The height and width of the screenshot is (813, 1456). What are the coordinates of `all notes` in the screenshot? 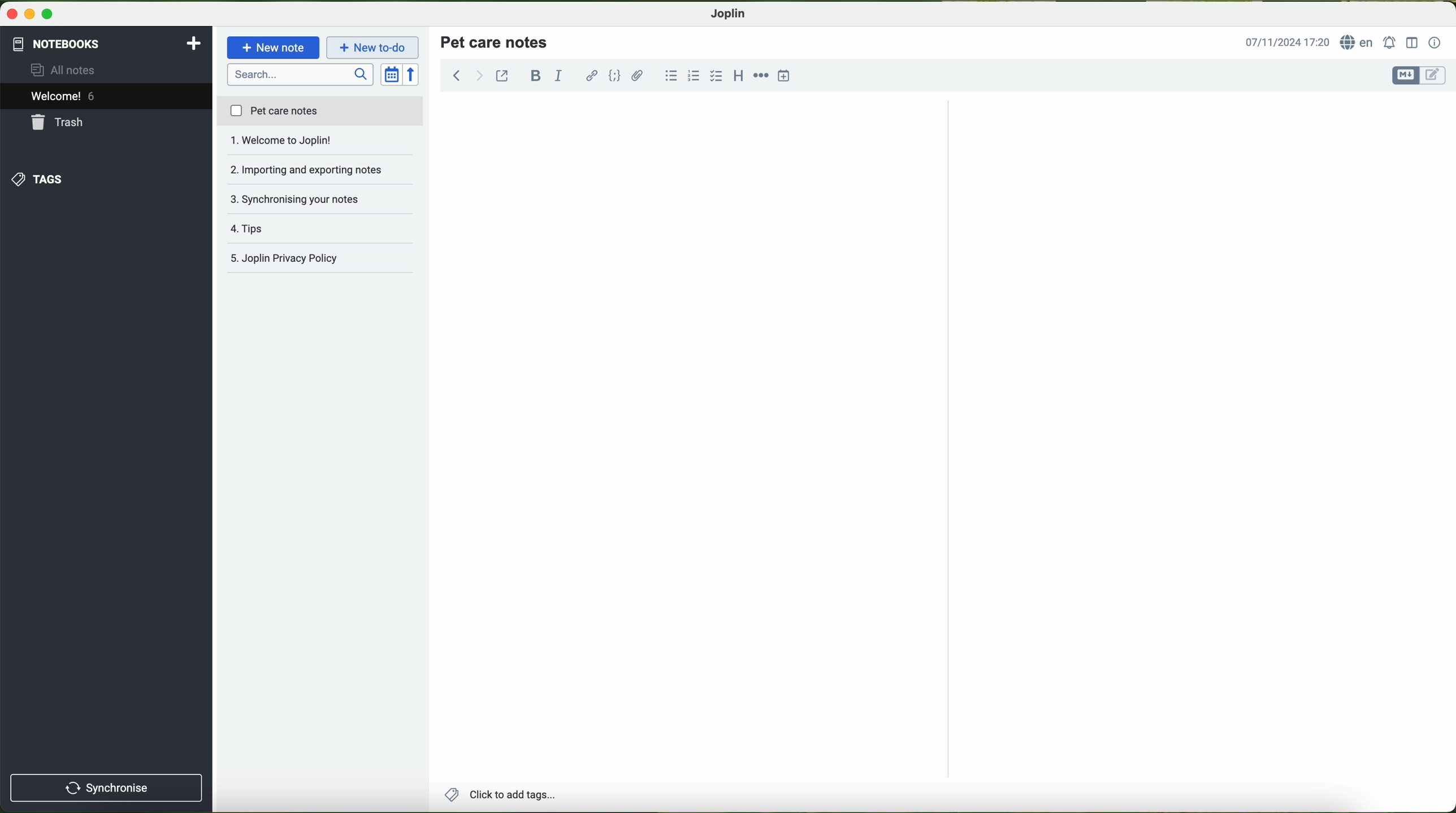 It's located at (66, 71).